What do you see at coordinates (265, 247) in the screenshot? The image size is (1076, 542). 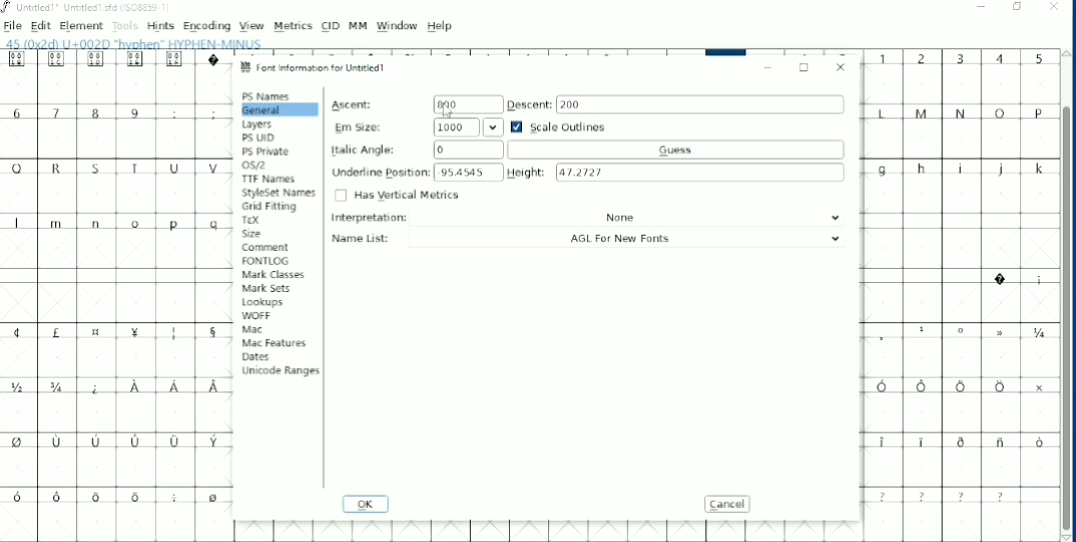 I see `Comment` at bounding box center [265, 247].